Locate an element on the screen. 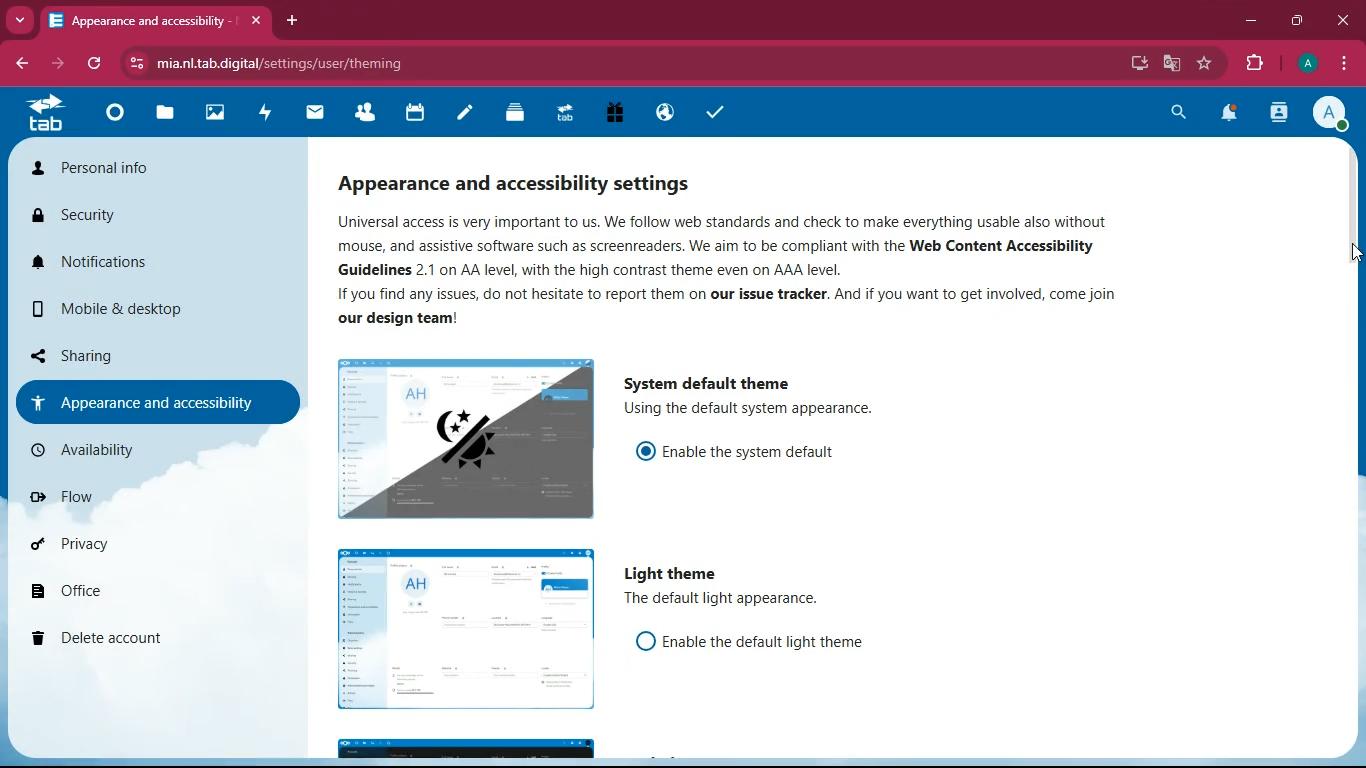  files is located at coordinates (167, 115).